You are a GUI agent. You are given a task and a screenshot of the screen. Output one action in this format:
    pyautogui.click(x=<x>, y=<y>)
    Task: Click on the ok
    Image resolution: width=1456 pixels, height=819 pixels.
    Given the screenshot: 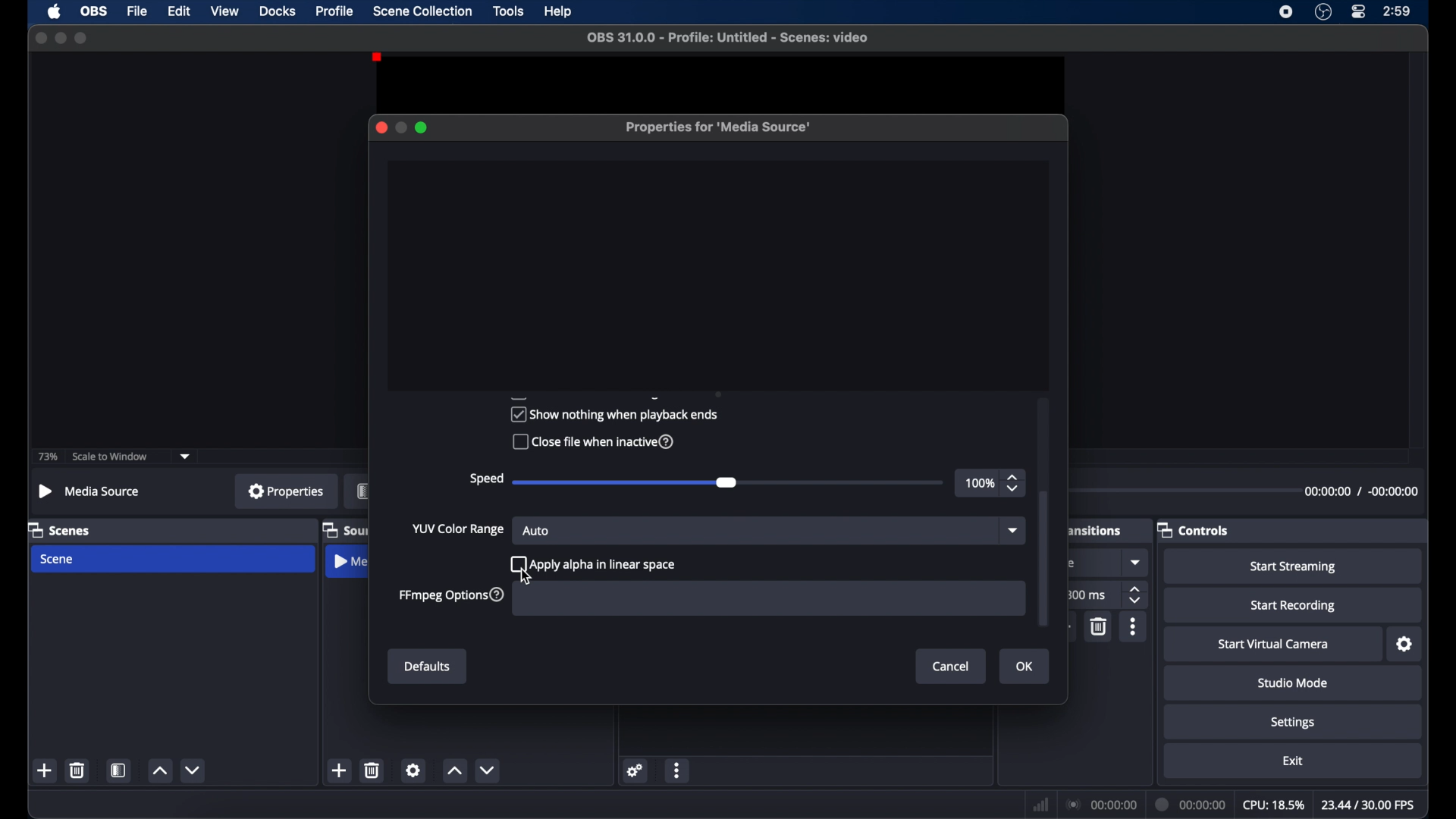 What is the action you would take?
    pyautogui.click(x=1025, y=667)
    